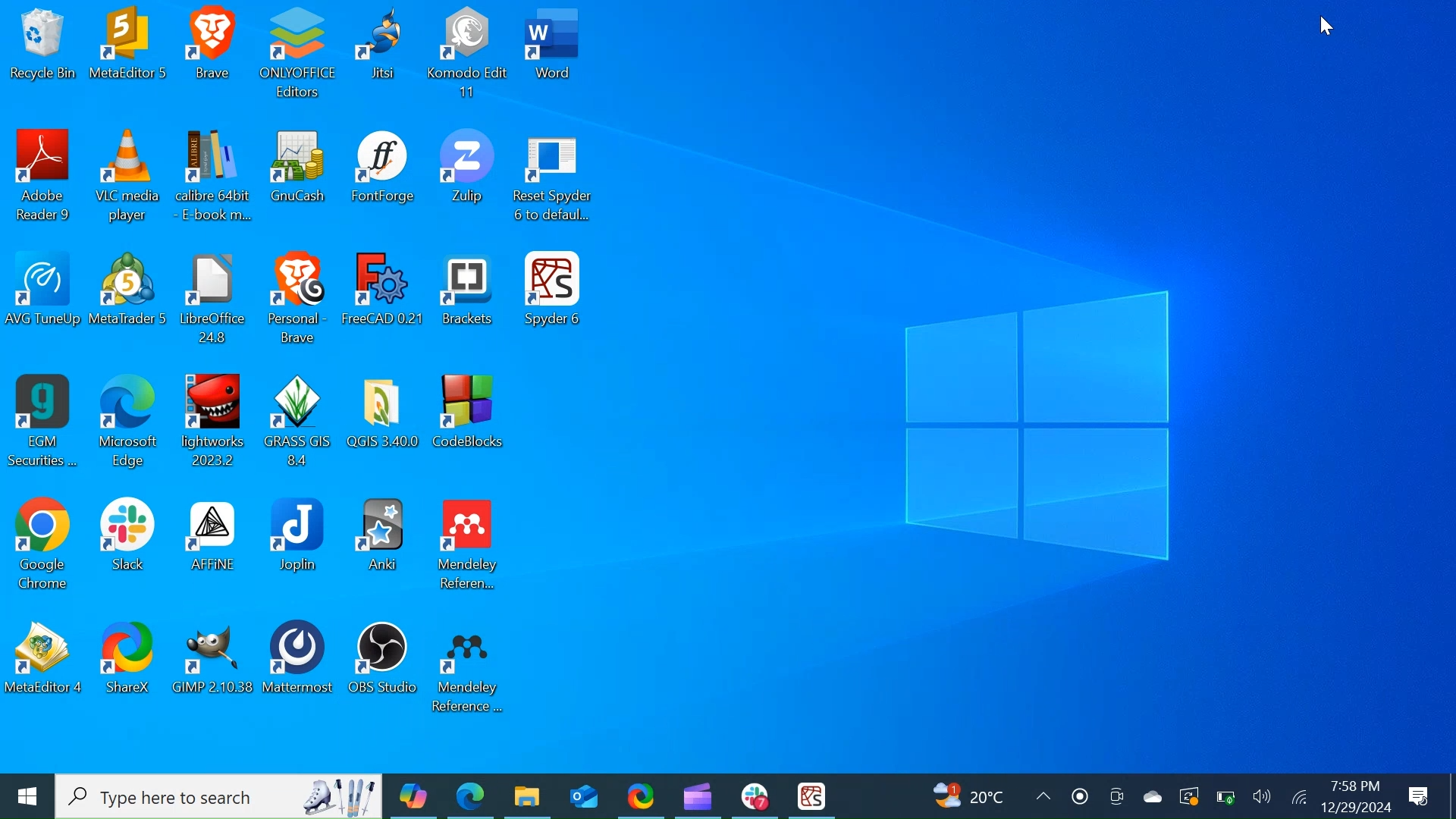 This screenshot has height=819, width=1456. I want to click on Copilot, so click(415, 795).